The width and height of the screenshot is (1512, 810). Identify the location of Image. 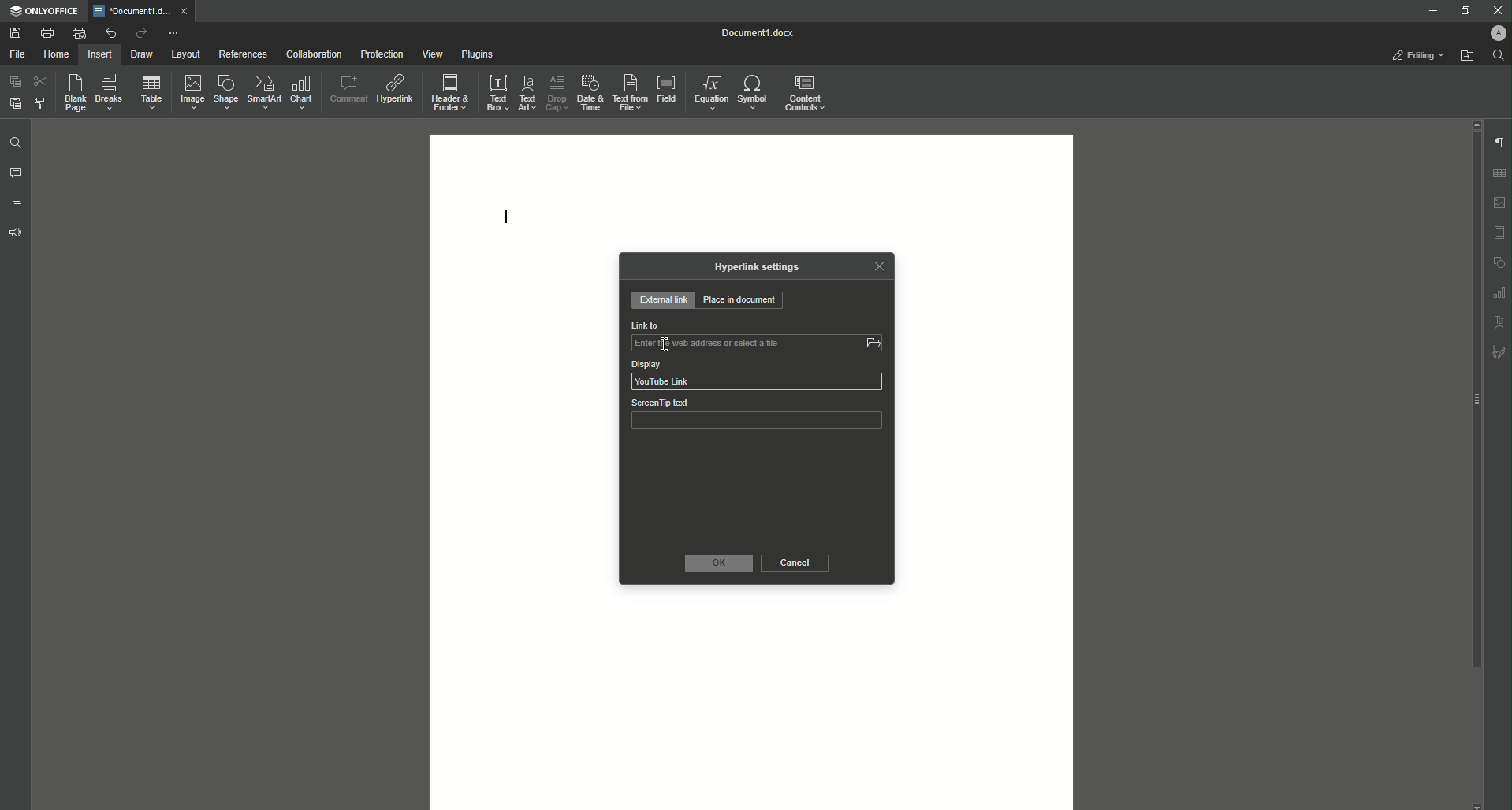
(194, 92).